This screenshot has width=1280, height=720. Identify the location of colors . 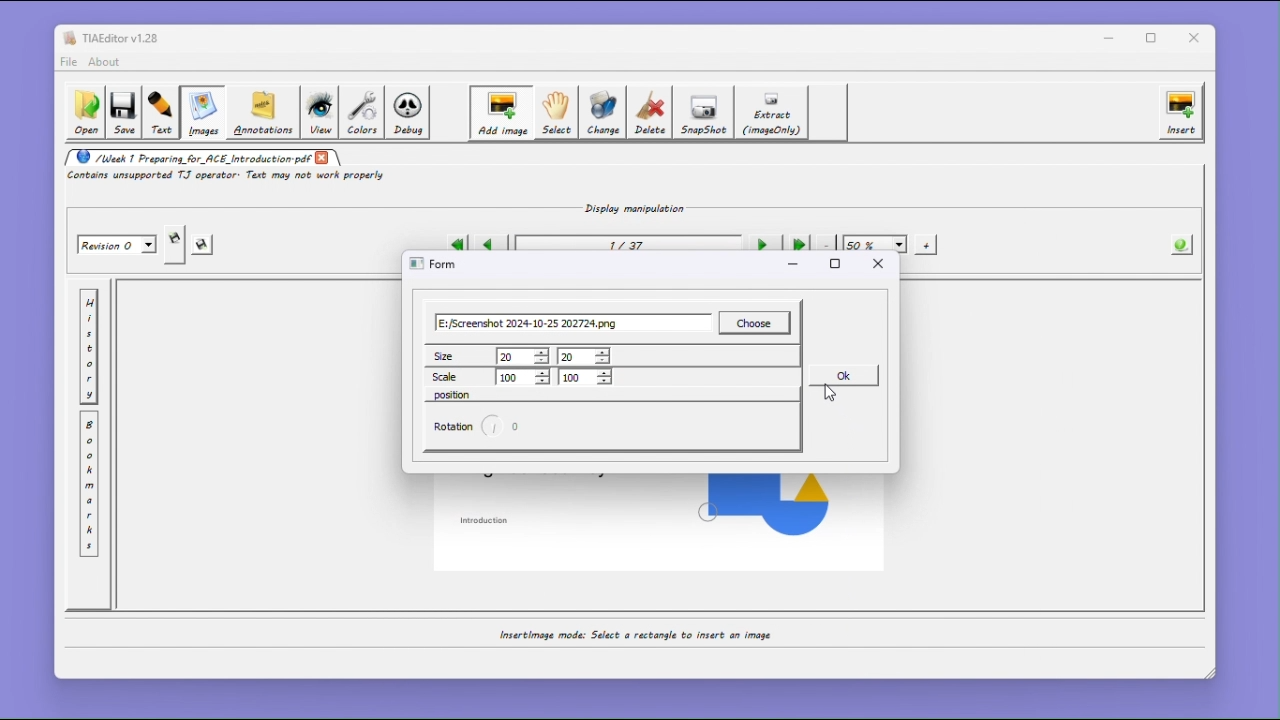
(362, 112).